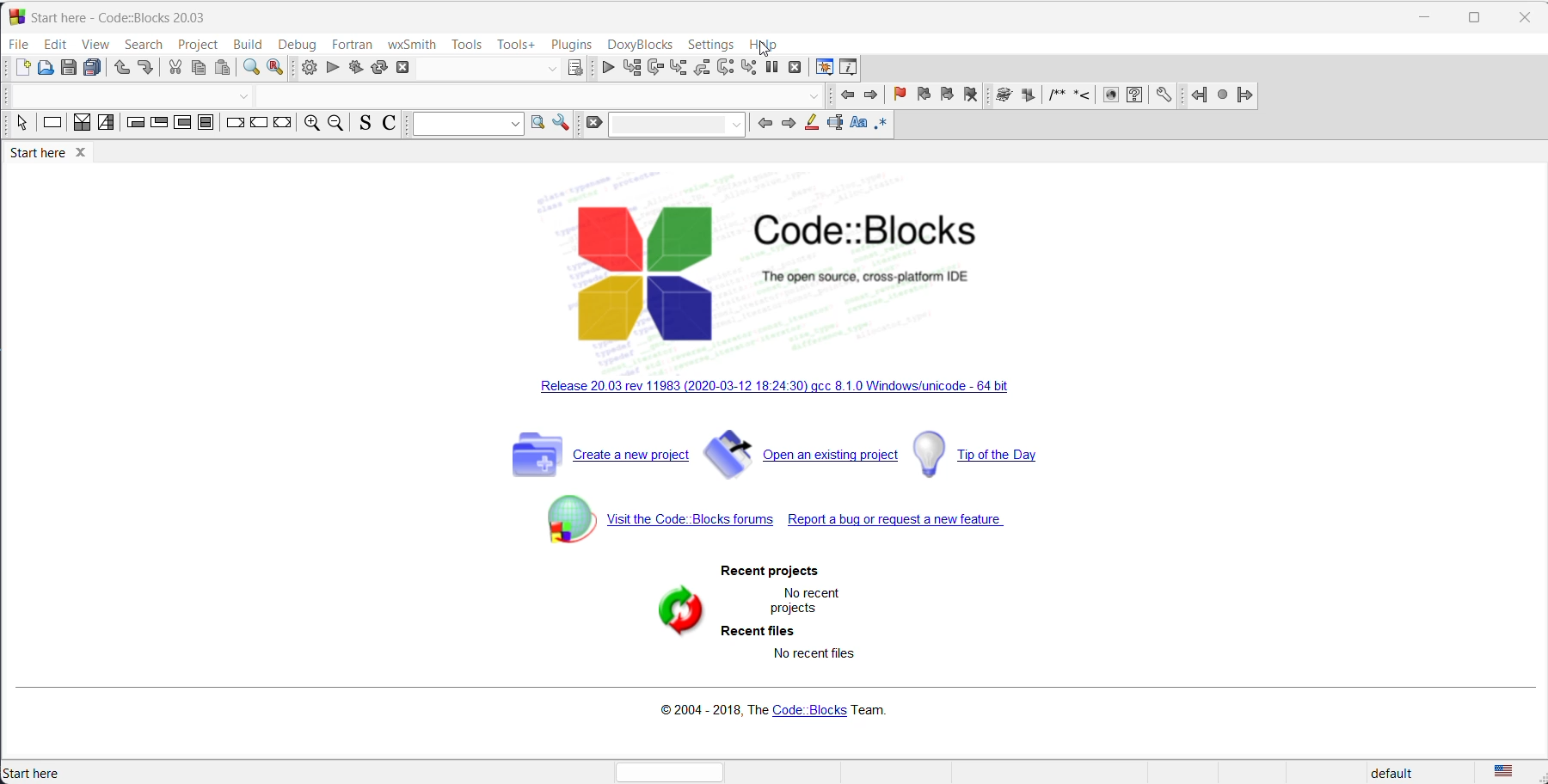  I want to click on toggle comments, so click(390, 125).